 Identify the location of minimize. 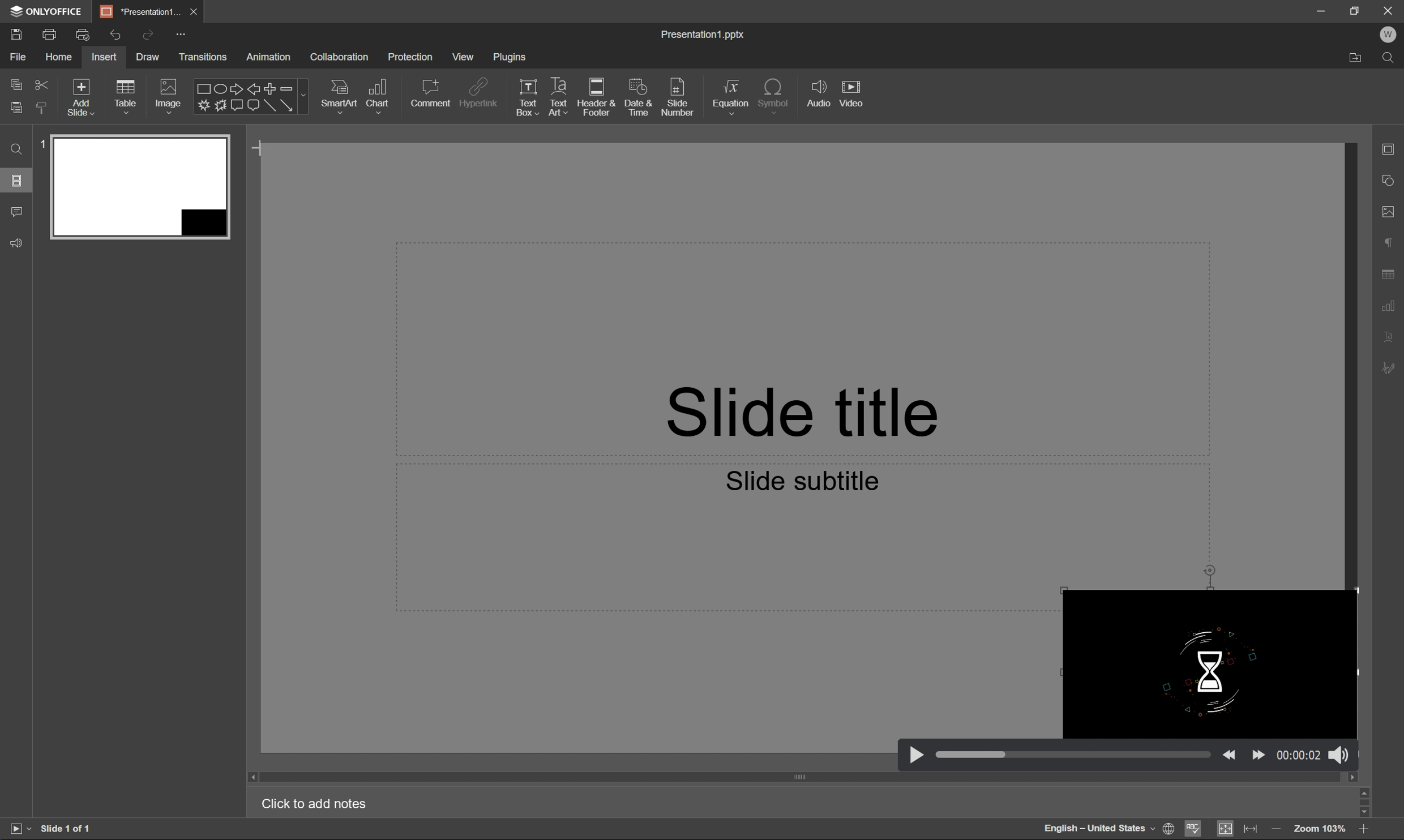
(1319, 9).